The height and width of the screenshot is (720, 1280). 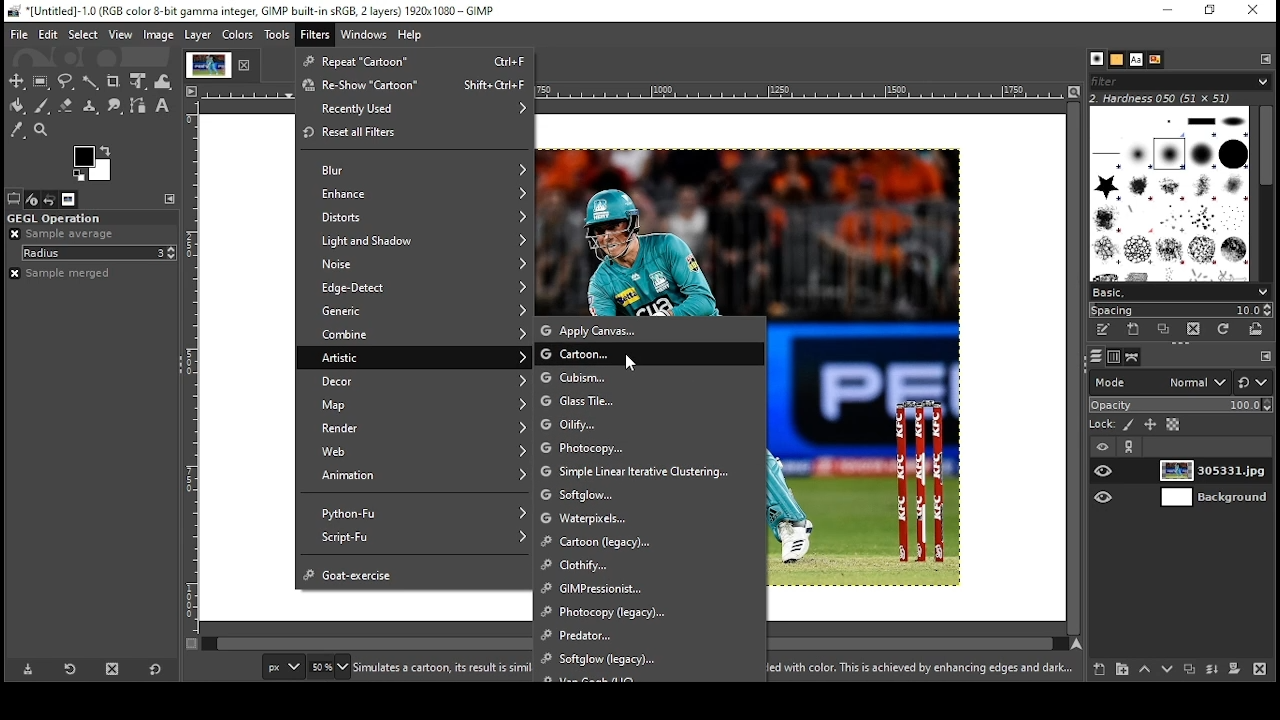 What do you see at coordinates (165, 106) in the screenshot?
I see `text tool` at bounding box center [165, 106].